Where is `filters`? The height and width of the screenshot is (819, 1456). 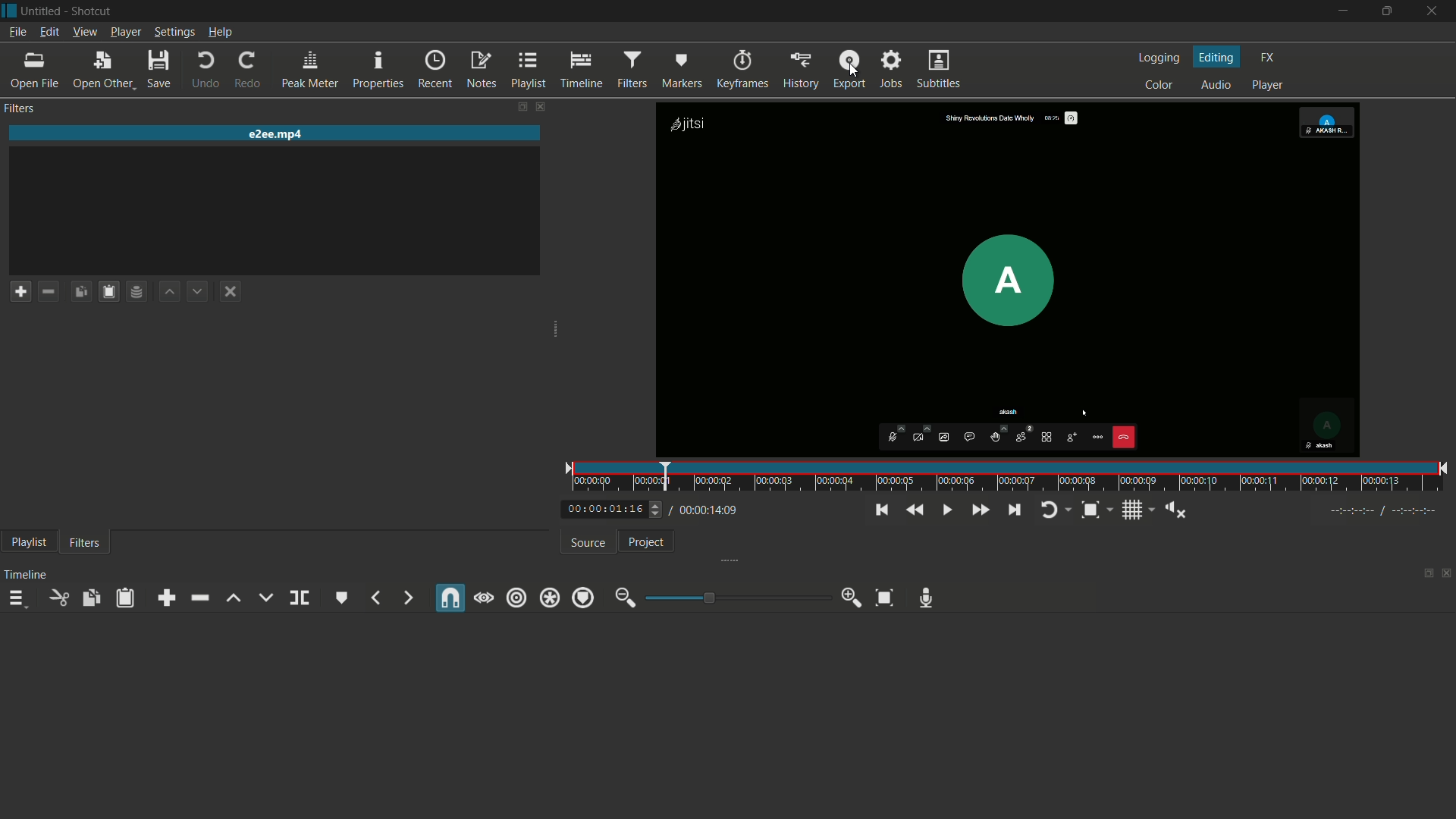
filters is located at coordinates (21, 108).